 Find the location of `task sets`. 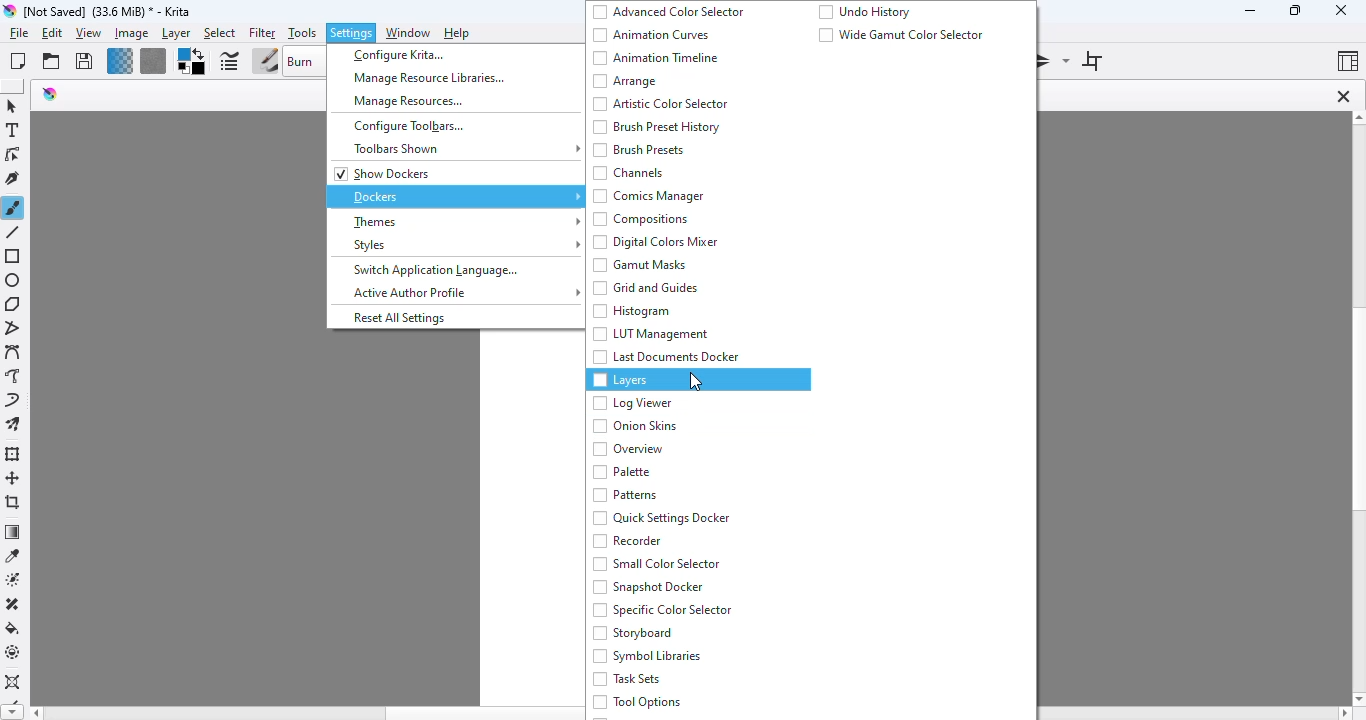

task sets is located at coordinates (627, 679).